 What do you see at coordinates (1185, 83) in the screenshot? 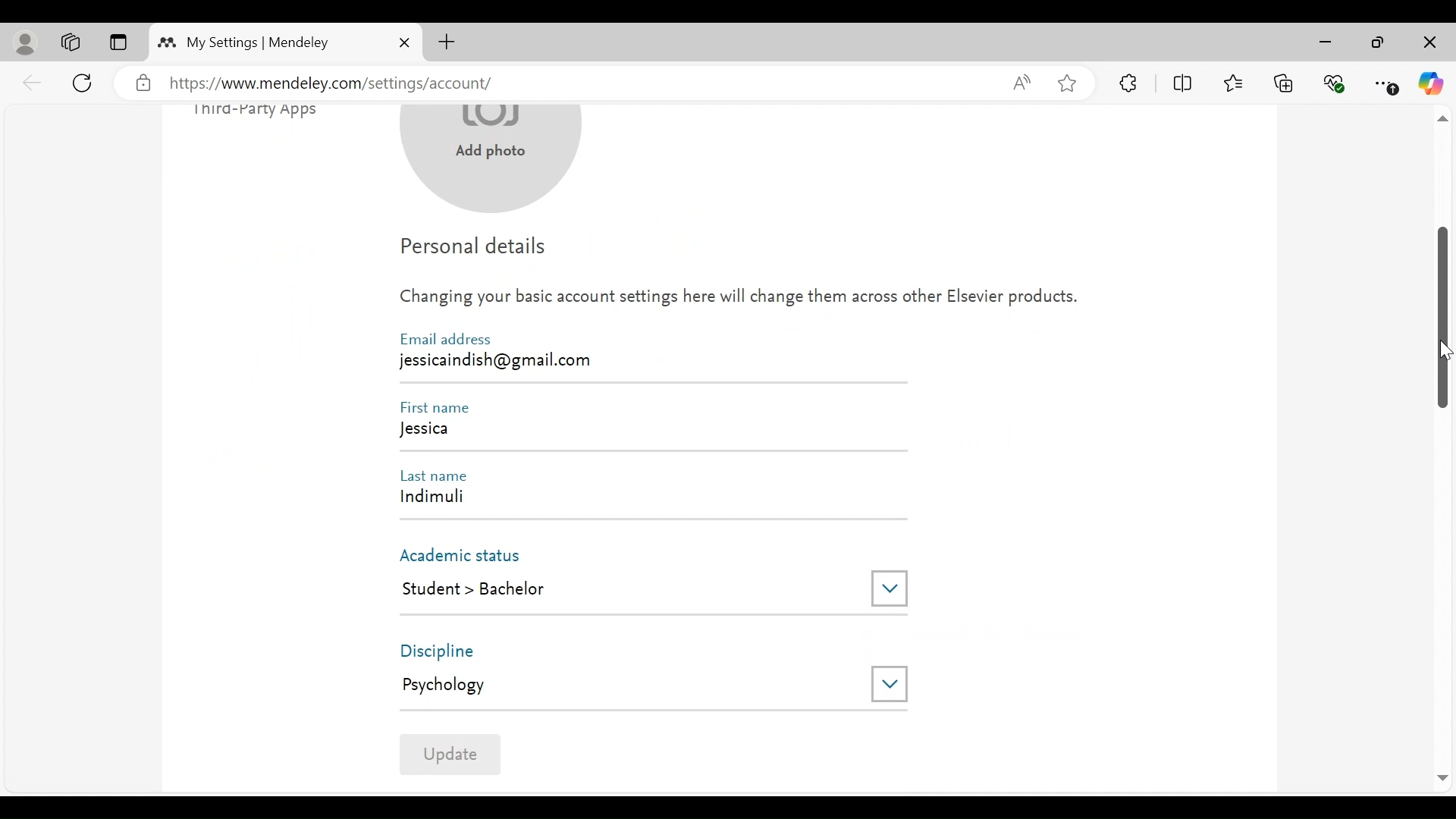
I see `Split Screen` at bounding box center [1185, 83].